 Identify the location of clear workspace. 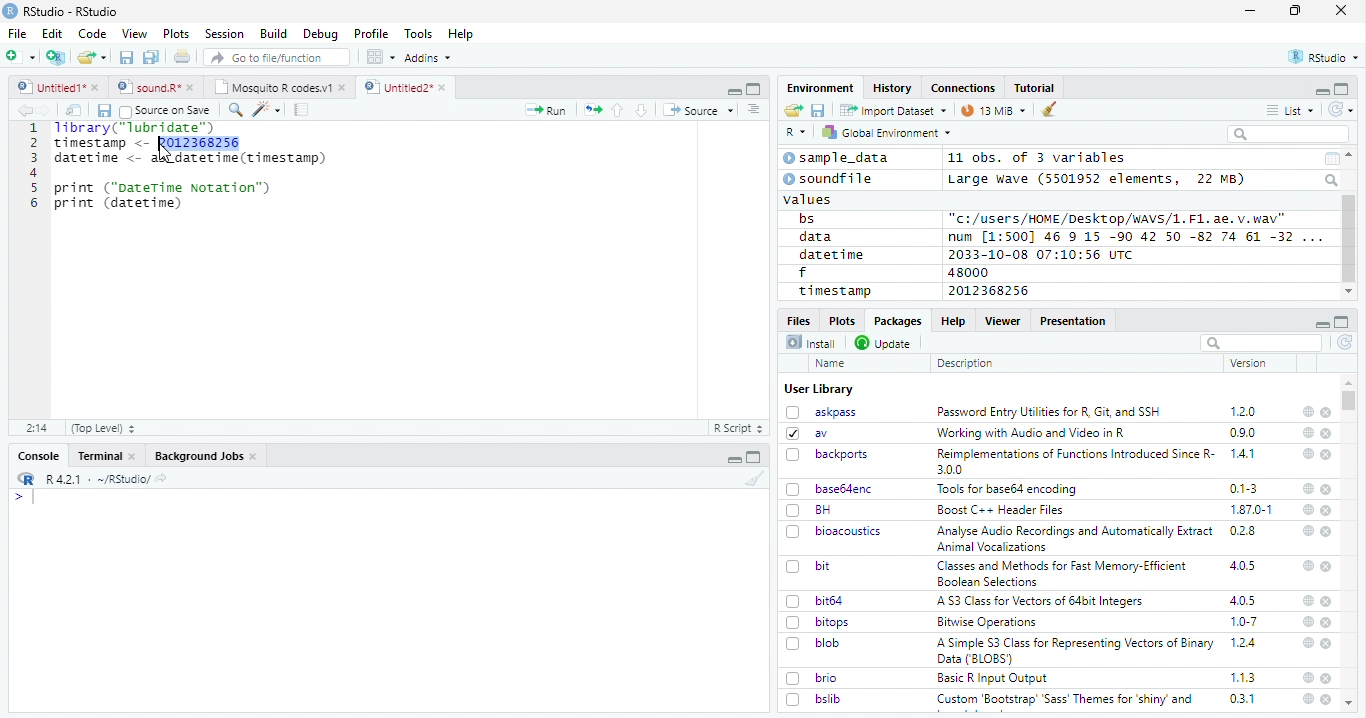
(751, 478).